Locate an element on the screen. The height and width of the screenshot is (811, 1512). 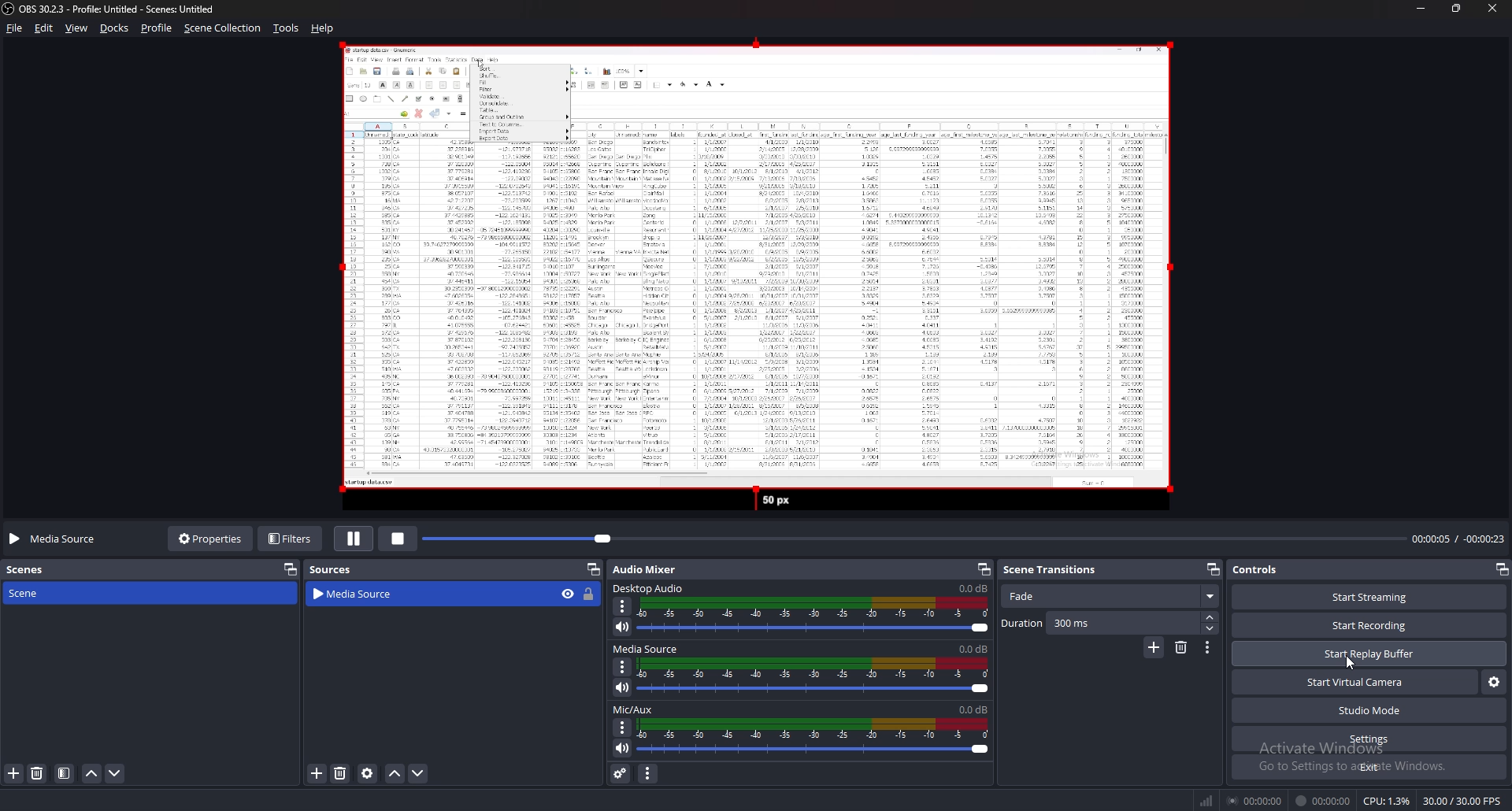
stop is located at coordinates (398, 539).